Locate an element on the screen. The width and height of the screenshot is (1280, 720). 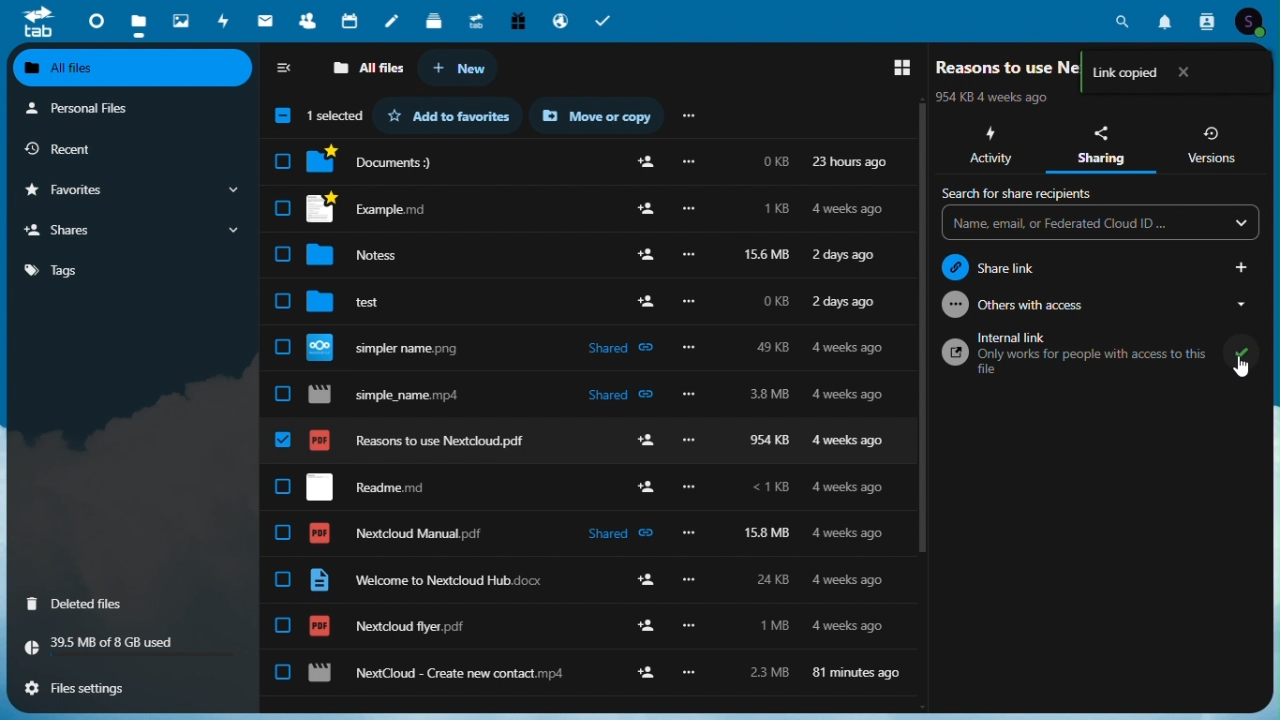
simpler name.png is located at coordinates (399, 347).